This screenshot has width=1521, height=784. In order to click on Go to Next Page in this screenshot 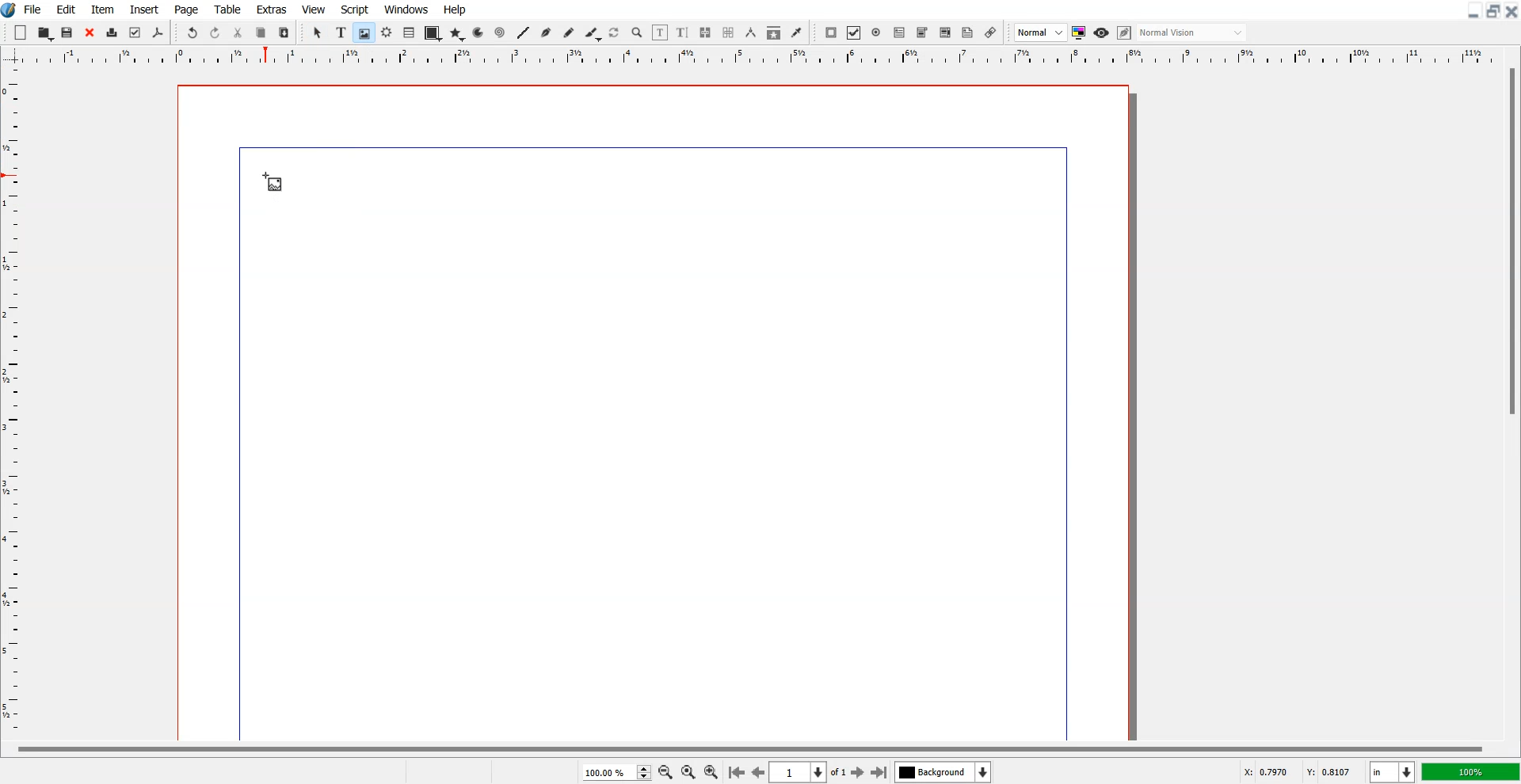, I will do `click(860, 773)`.